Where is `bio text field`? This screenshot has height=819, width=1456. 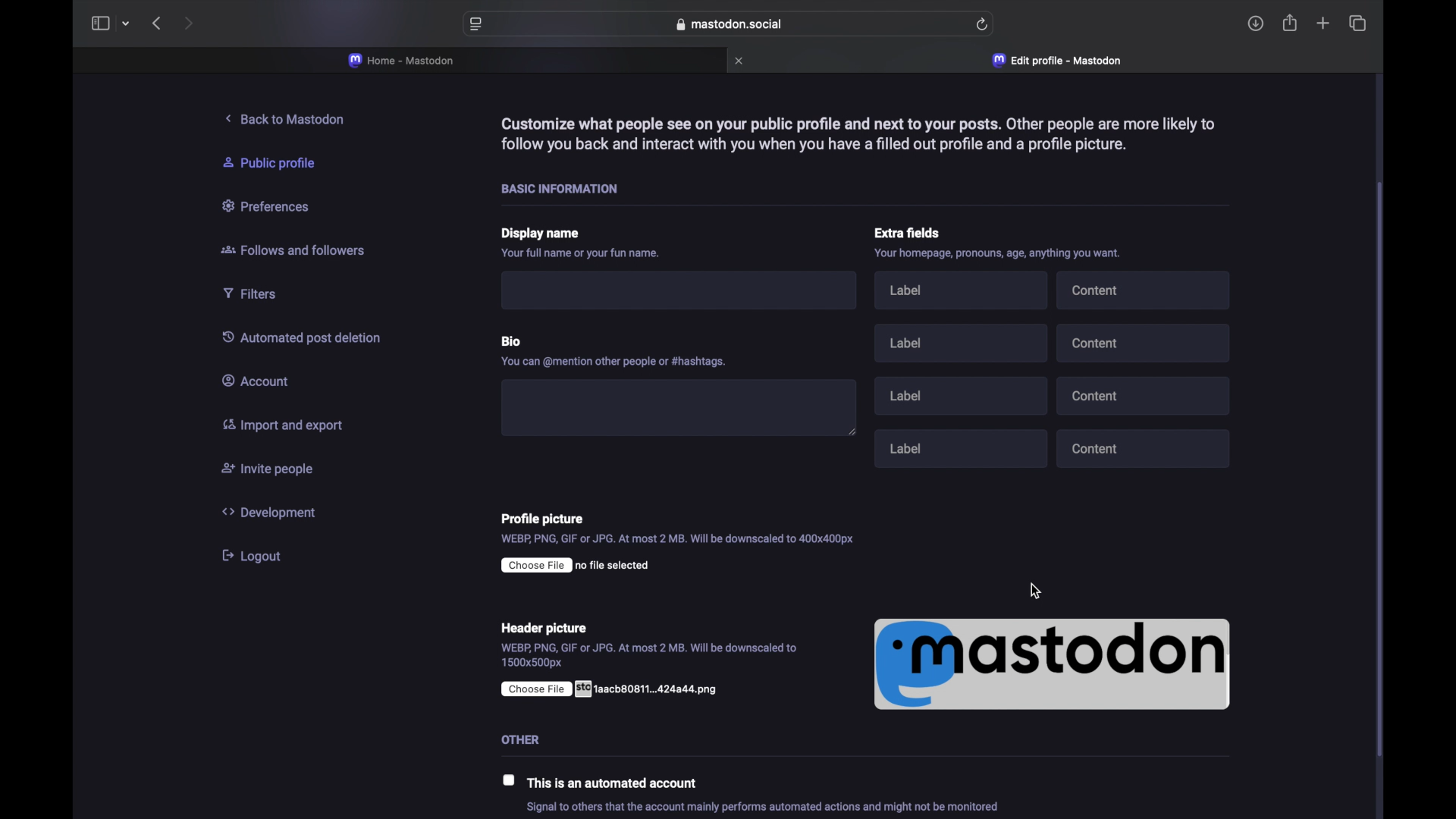
bio text field is located at coordinates (679, 403).